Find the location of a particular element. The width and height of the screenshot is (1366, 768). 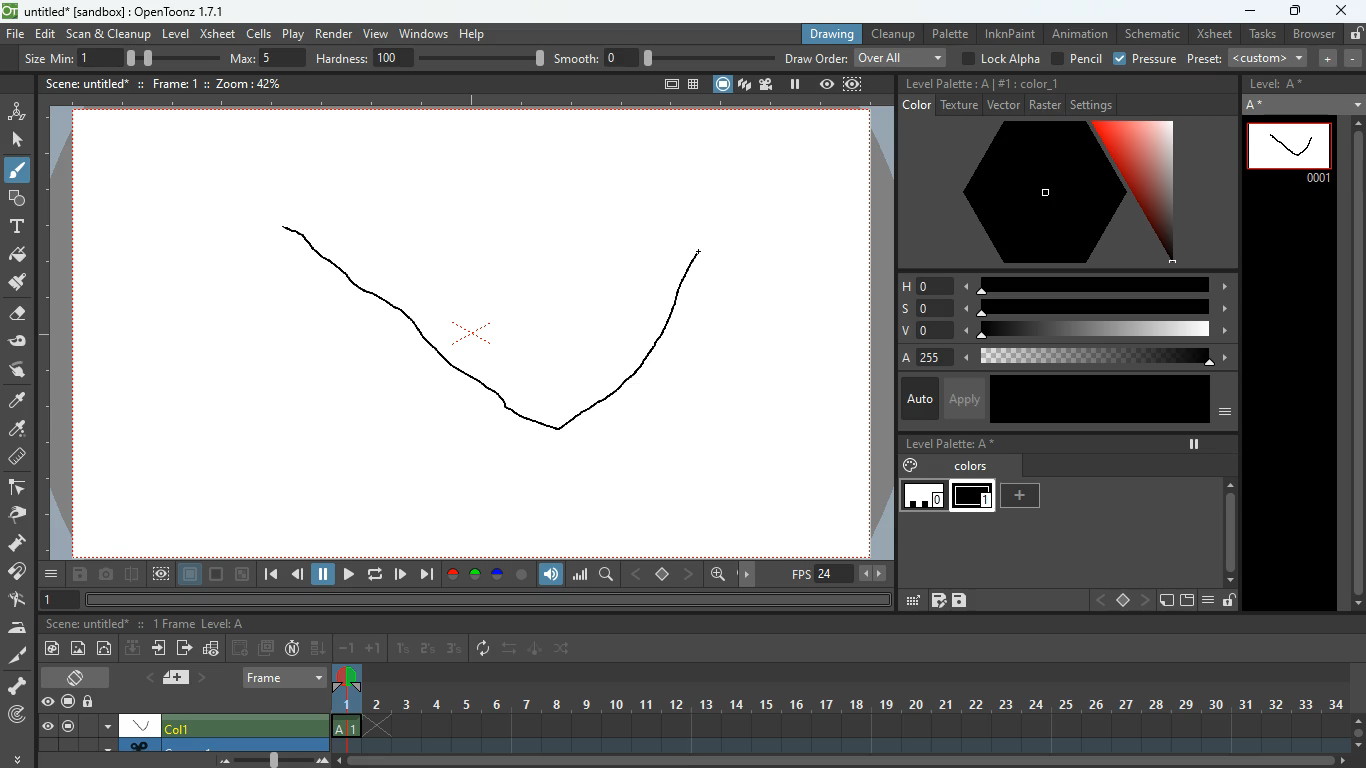

minimize is located at coordinates (1248, 12).